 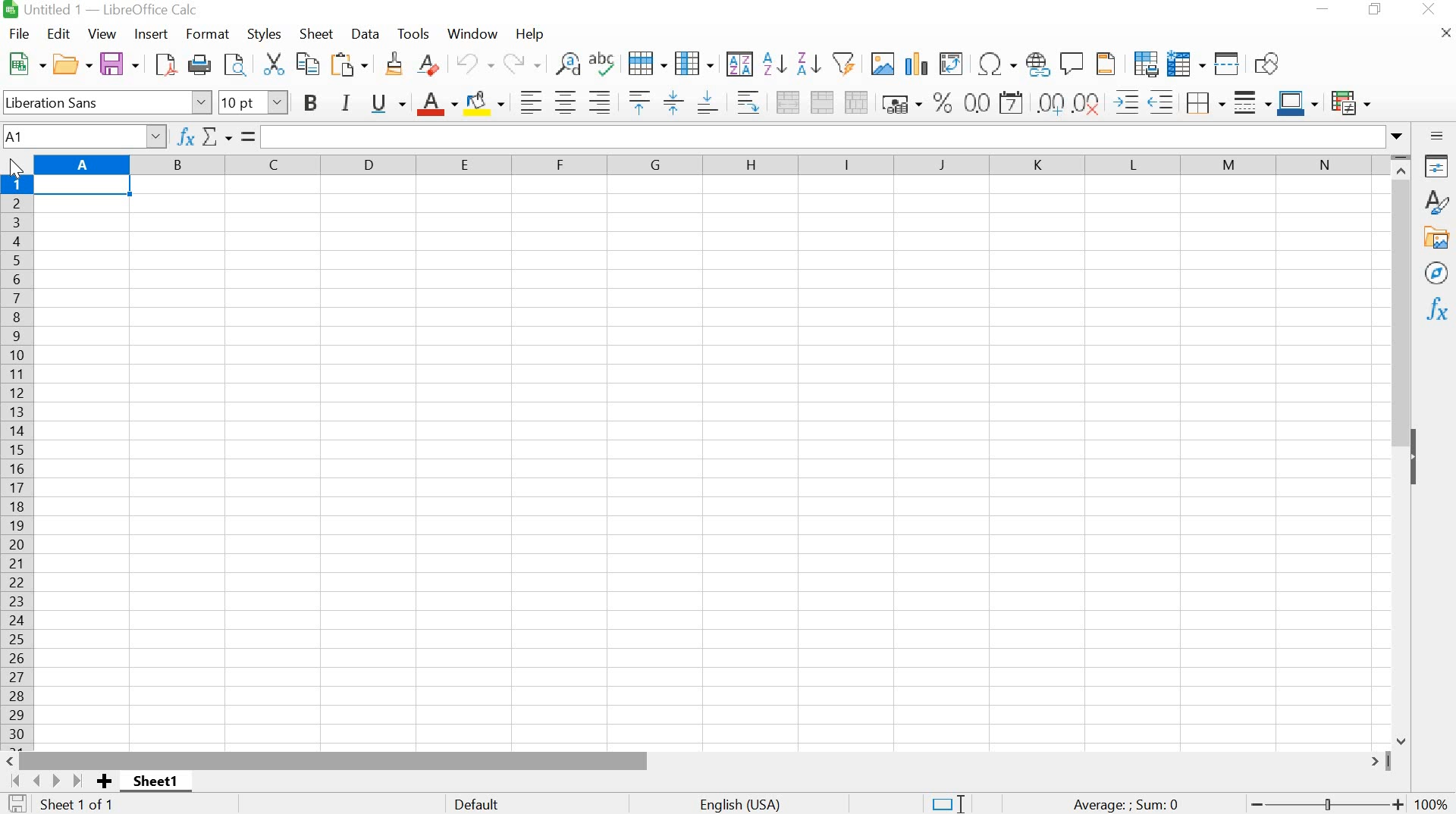 What do you see at coordinates (104, 32) in the screenshot?
I see `VIEW` at bounding box center [104, 32].